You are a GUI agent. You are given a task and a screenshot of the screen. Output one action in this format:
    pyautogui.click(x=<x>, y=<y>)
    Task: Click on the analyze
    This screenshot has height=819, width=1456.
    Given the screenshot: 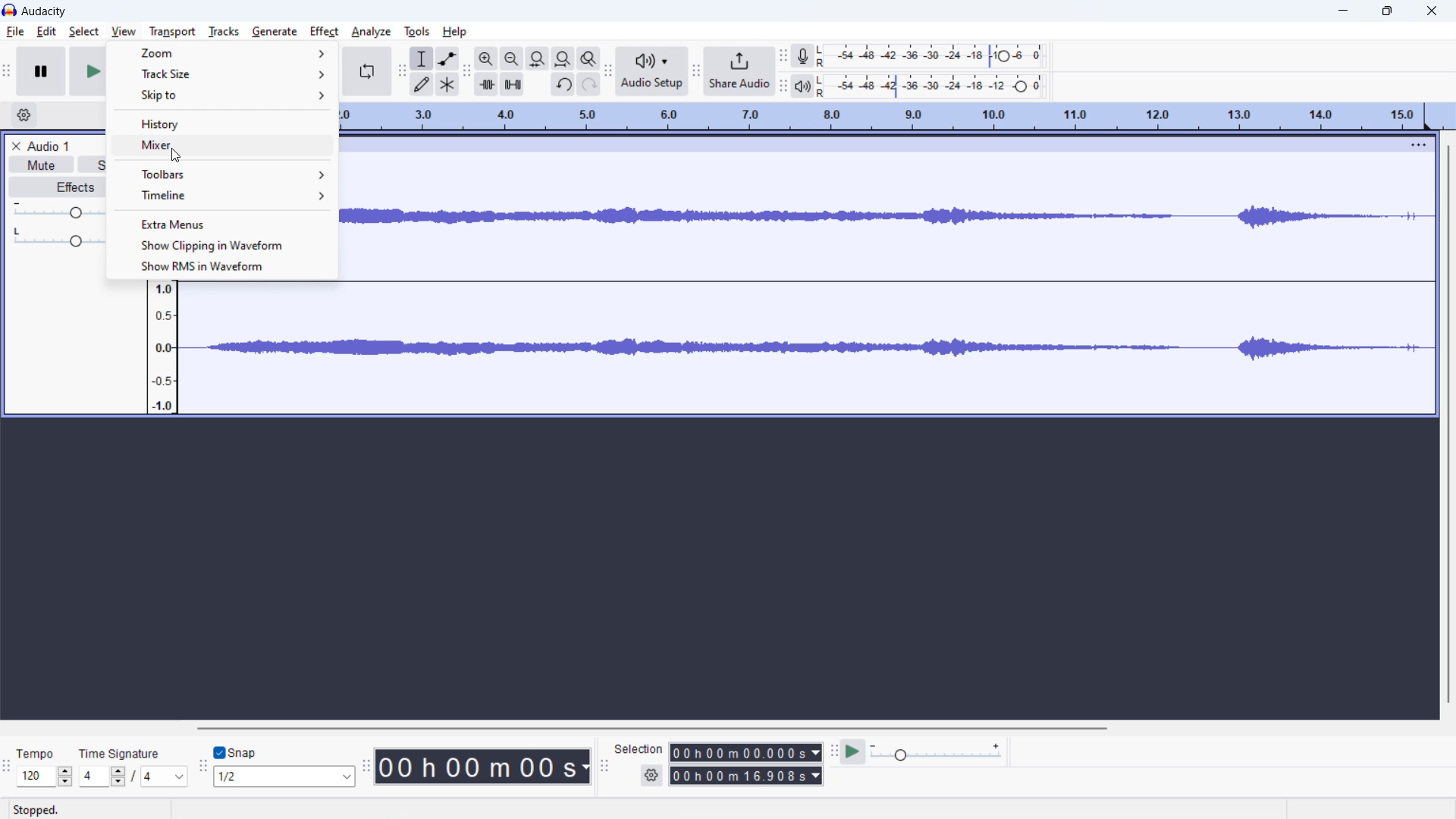 What is the action you would take?
    pyautogui.click(x=372, y=32)
    